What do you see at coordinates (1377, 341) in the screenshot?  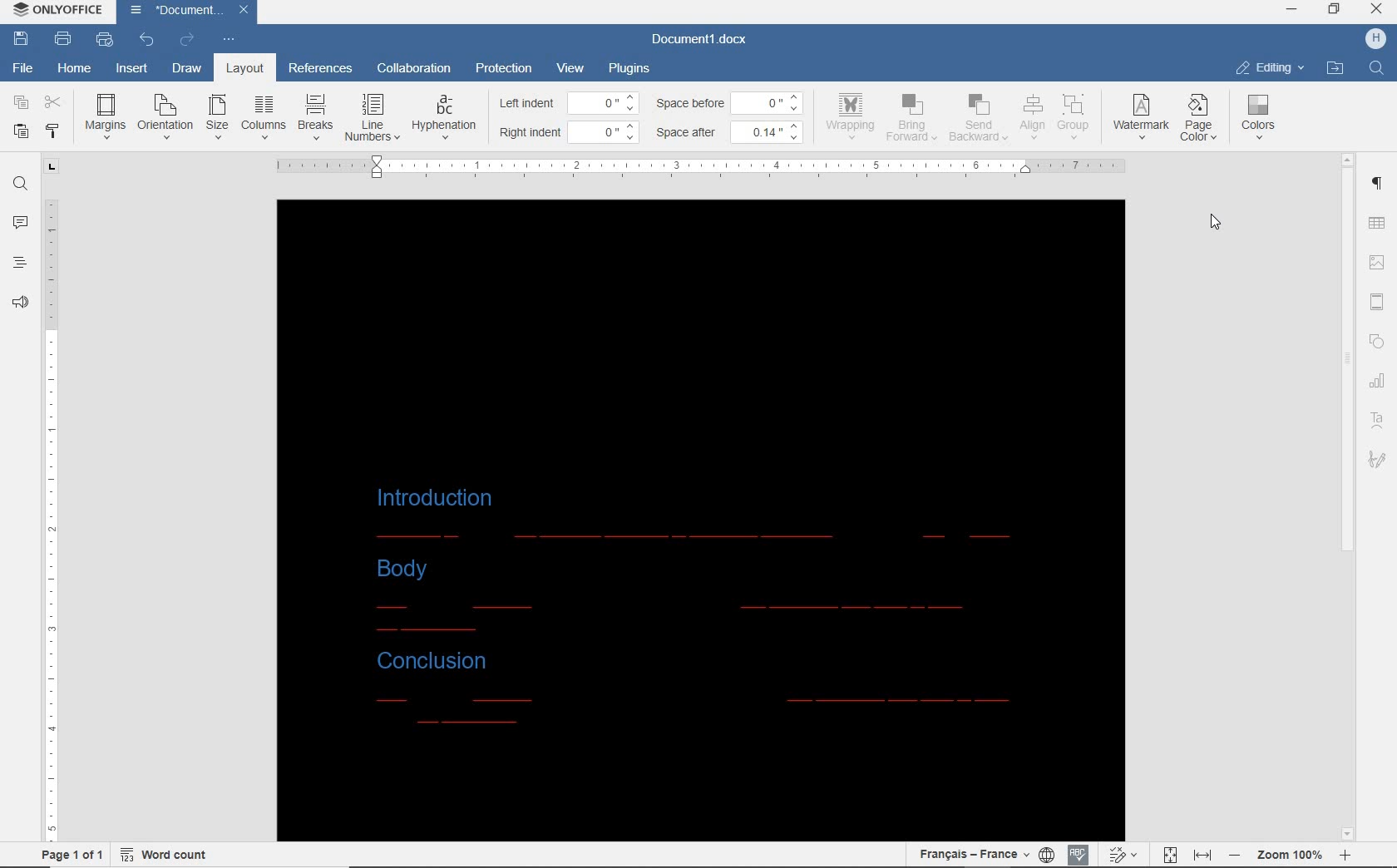 I see `shape` at bounding box center [1377, 341].